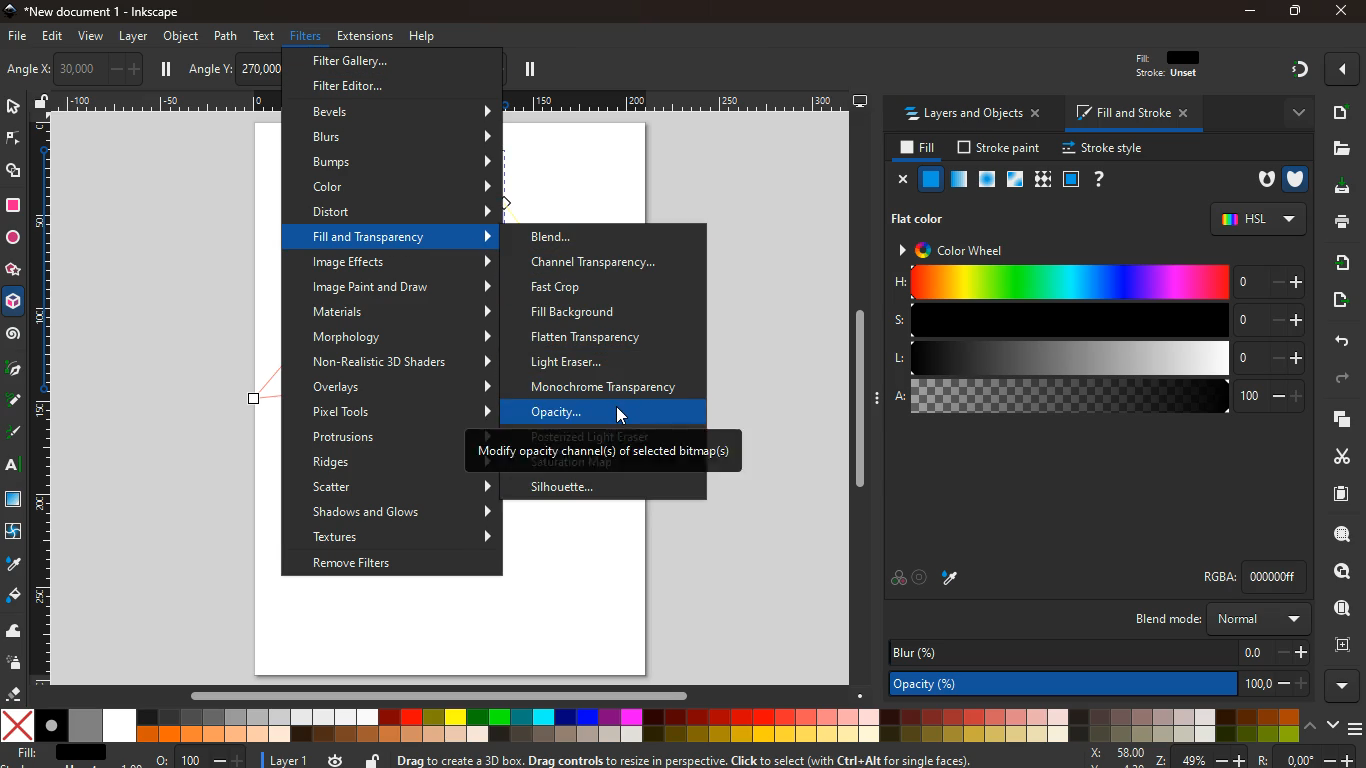 Image resolution: width=1366 pixels, height=768 pixels. I want to click on flatten transparency, so click(607, 336).